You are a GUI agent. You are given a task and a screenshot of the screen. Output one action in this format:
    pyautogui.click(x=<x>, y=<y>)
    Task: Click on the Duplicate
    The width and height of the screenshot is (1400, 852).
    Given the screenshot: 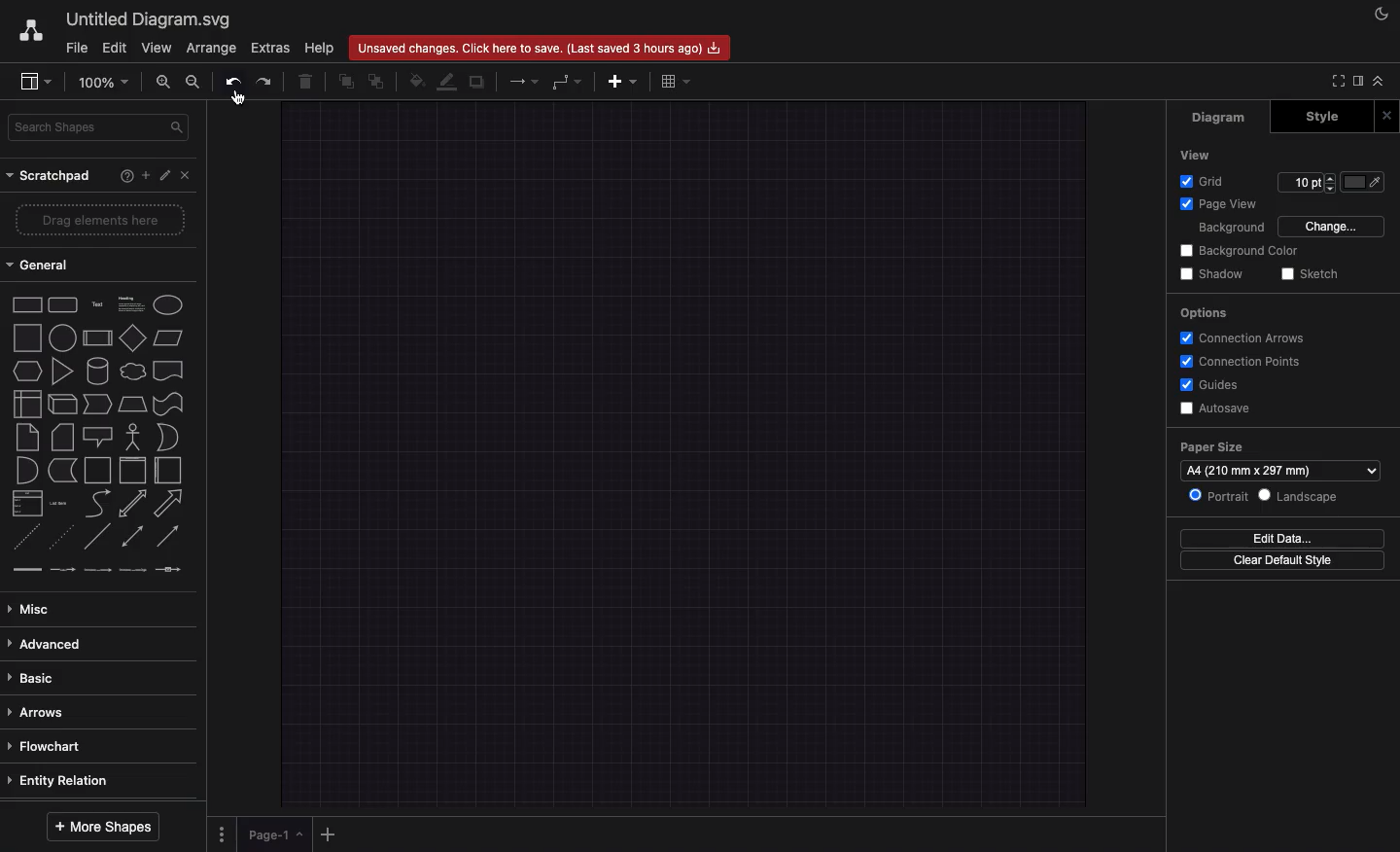 What is the action you would take?
    pyautogui.click(x=478, y=81)
    